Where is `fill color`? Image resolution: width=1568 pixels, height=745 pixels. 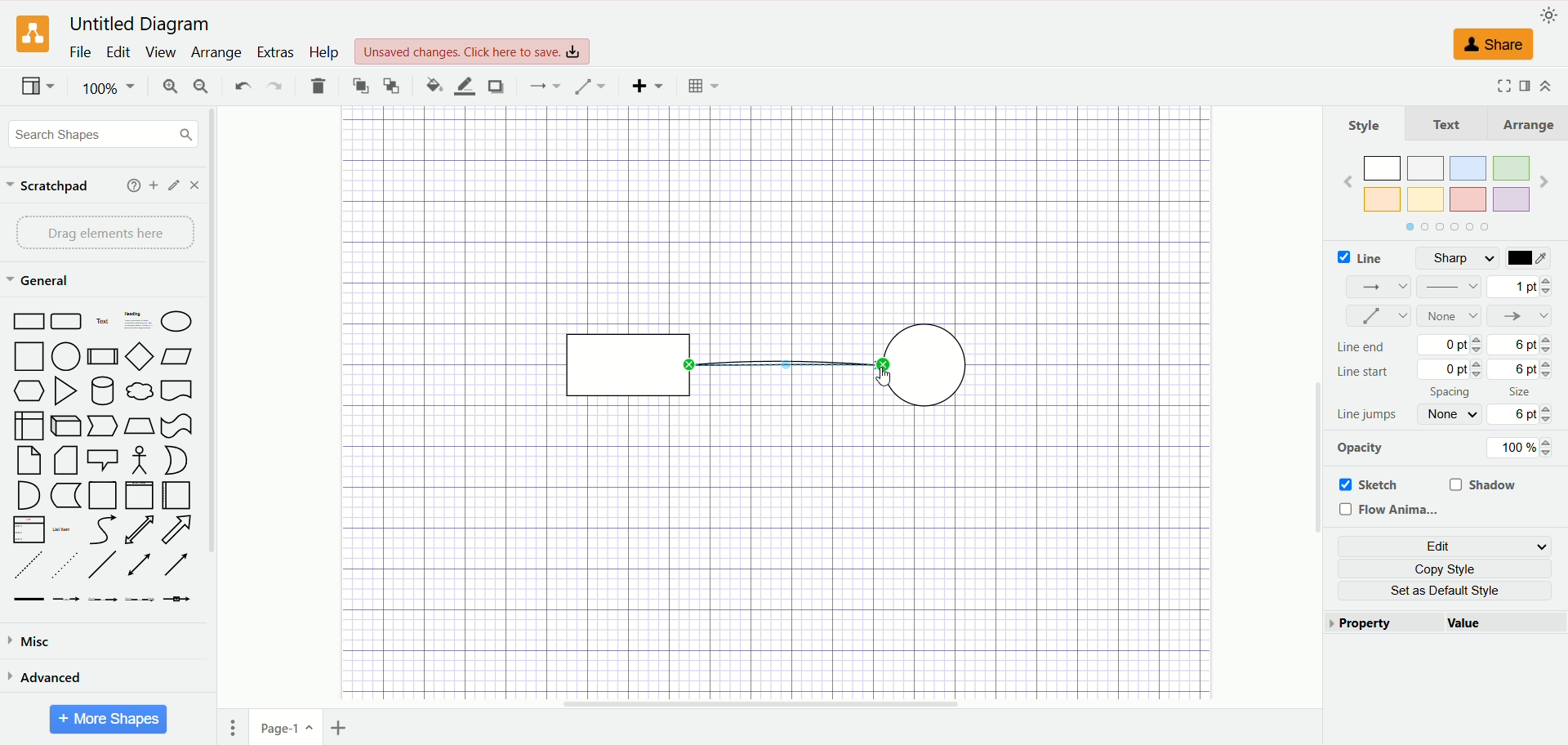 fill color is located at coordinates (431, 85).